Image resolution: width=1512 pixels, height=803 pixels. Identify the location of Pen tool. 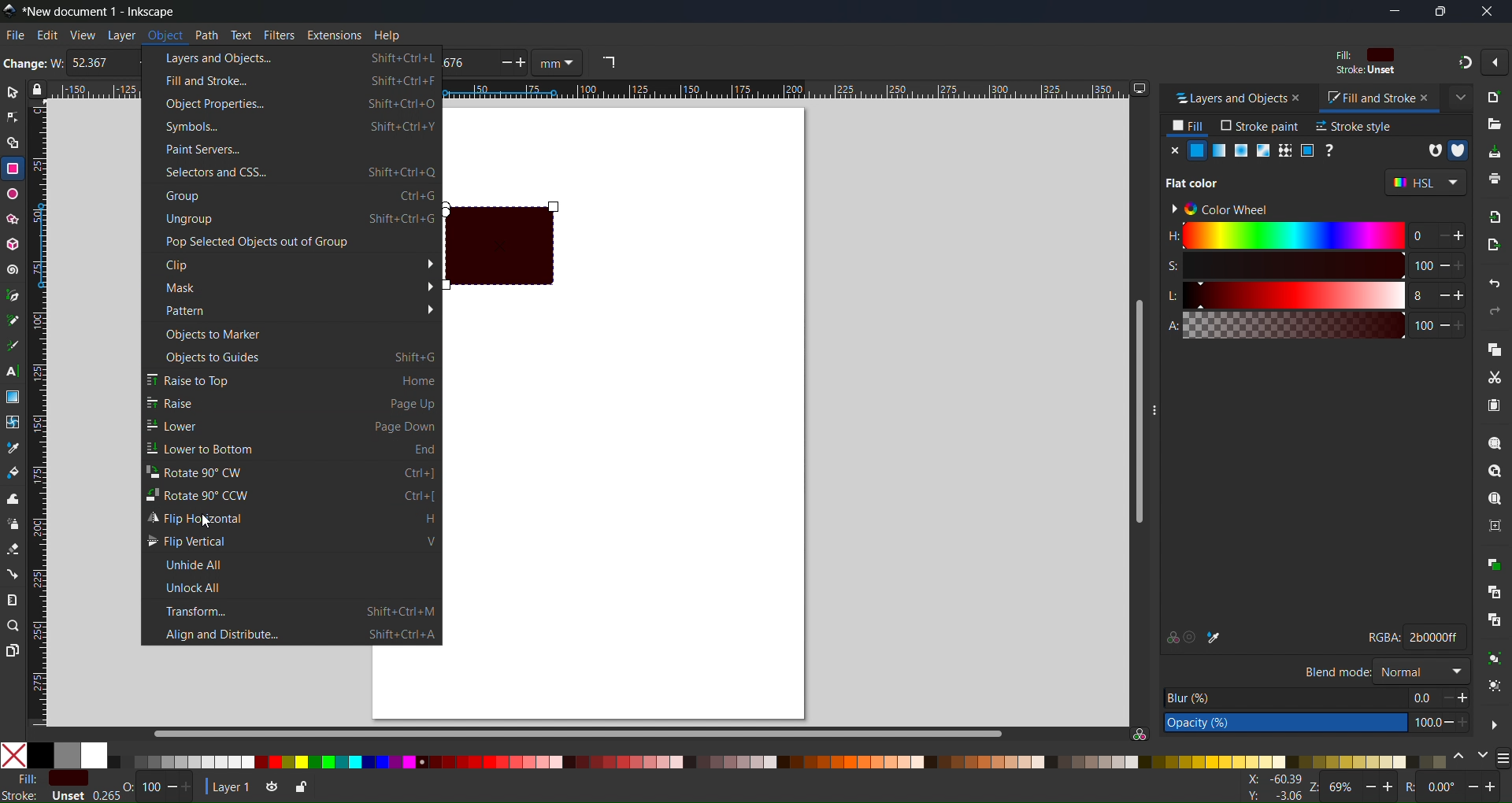
(13, 294).